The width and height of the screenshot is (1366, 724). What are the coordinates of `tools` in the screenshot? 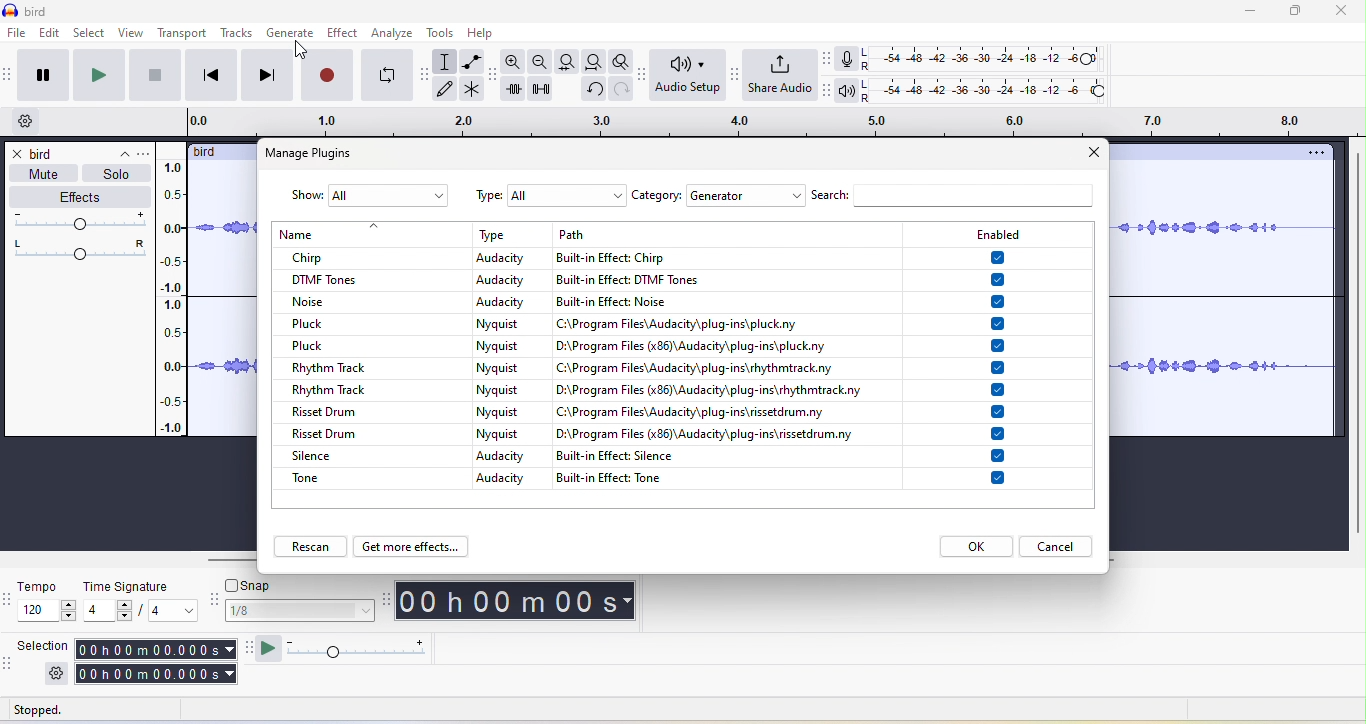 It's located at (445, 33).